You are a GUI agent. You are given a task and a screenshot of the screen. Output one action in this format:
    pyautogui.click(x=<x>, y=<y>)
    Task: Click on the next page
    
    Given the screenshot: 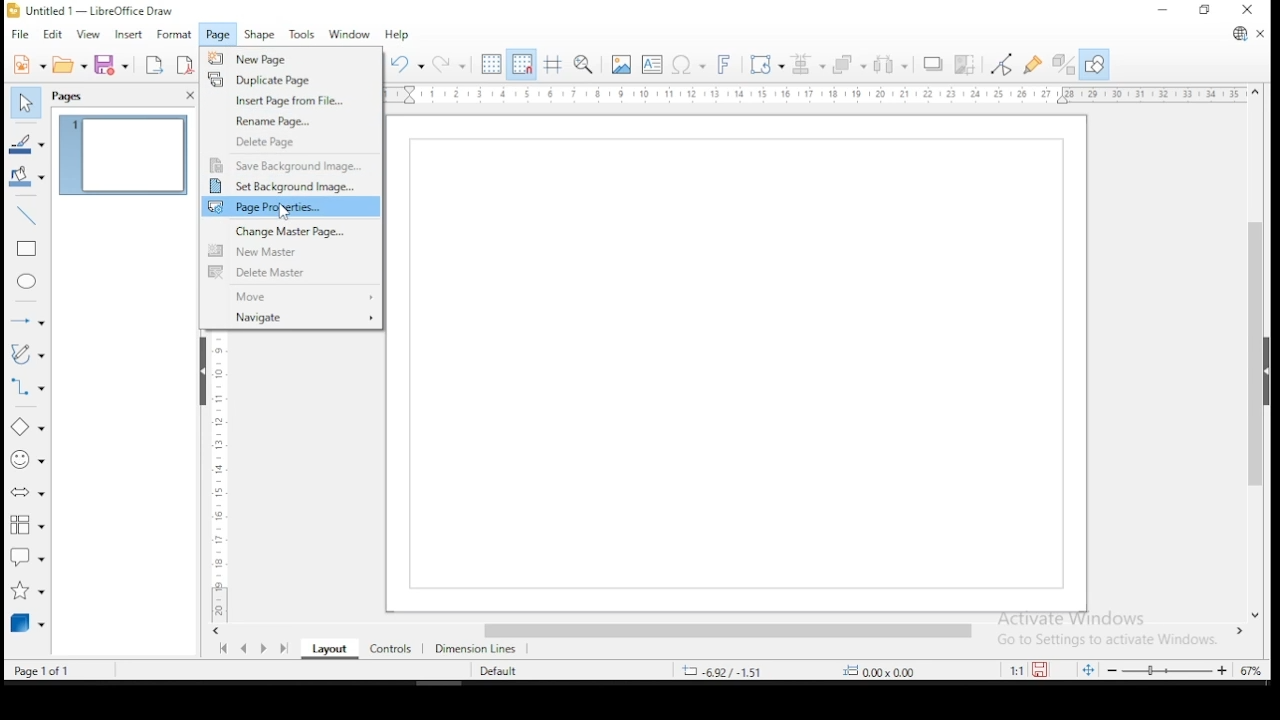 What is the action you would take?
    pyautogui.click(x=264, y=650)
    